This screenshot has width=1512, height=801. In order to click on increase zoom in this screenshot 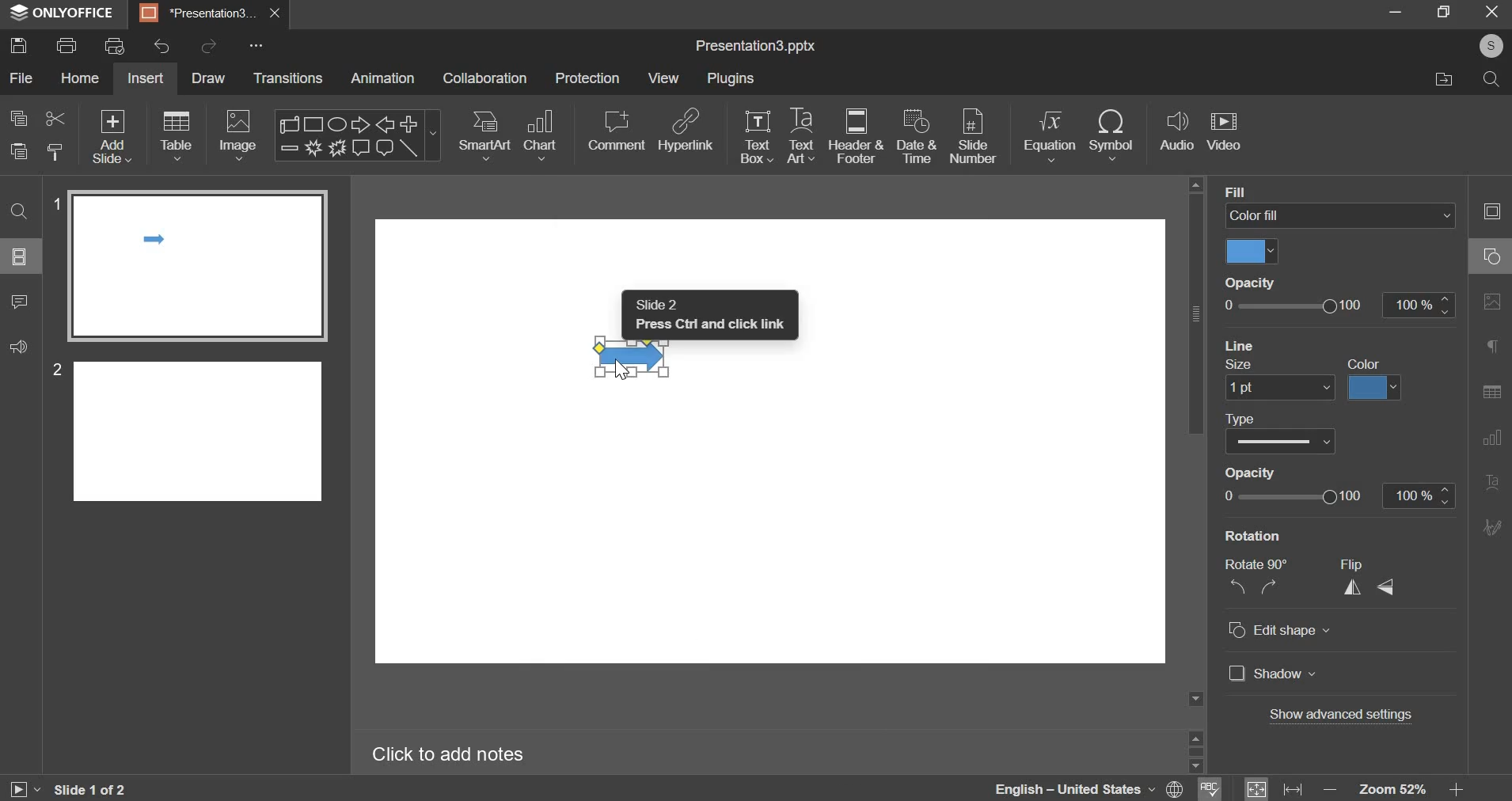, I will do `click(1457, 790)`.